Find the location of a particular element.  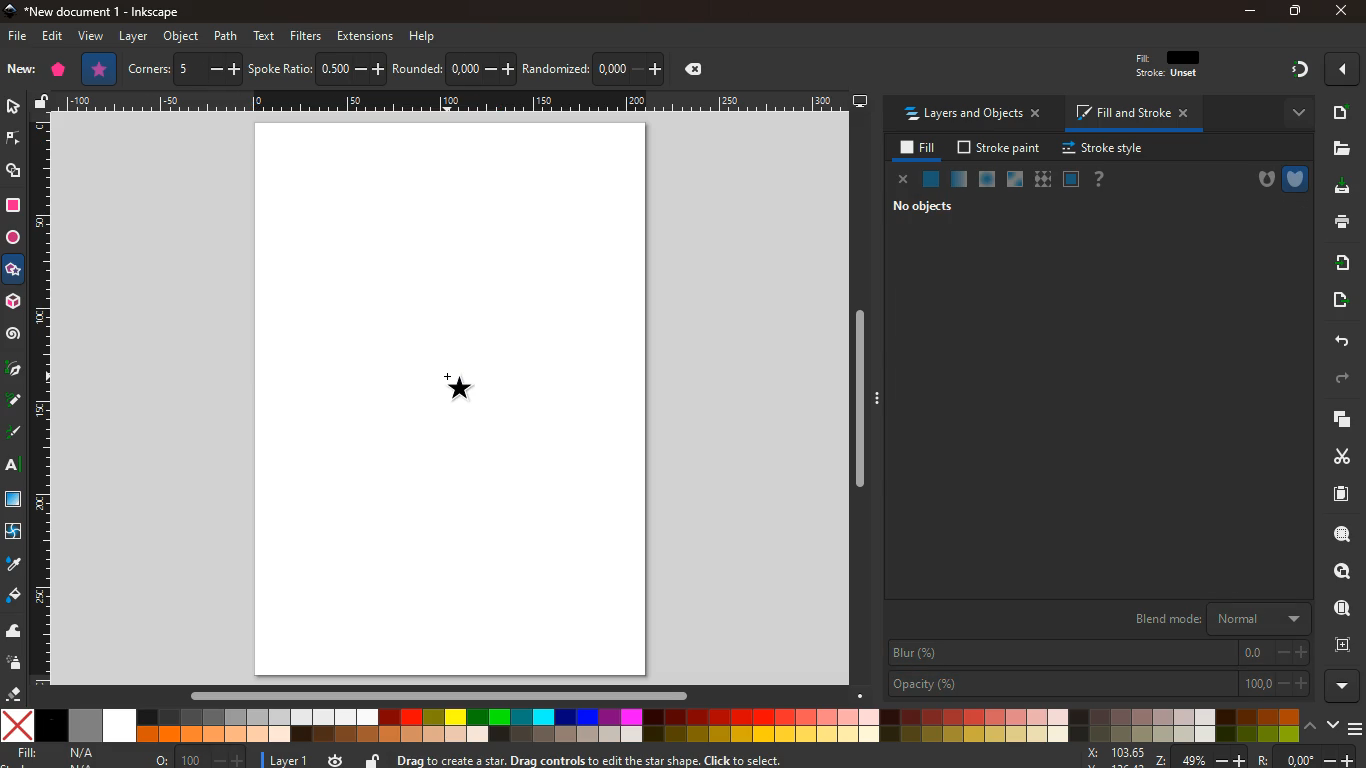

more is located at coordinates (1290, 114).